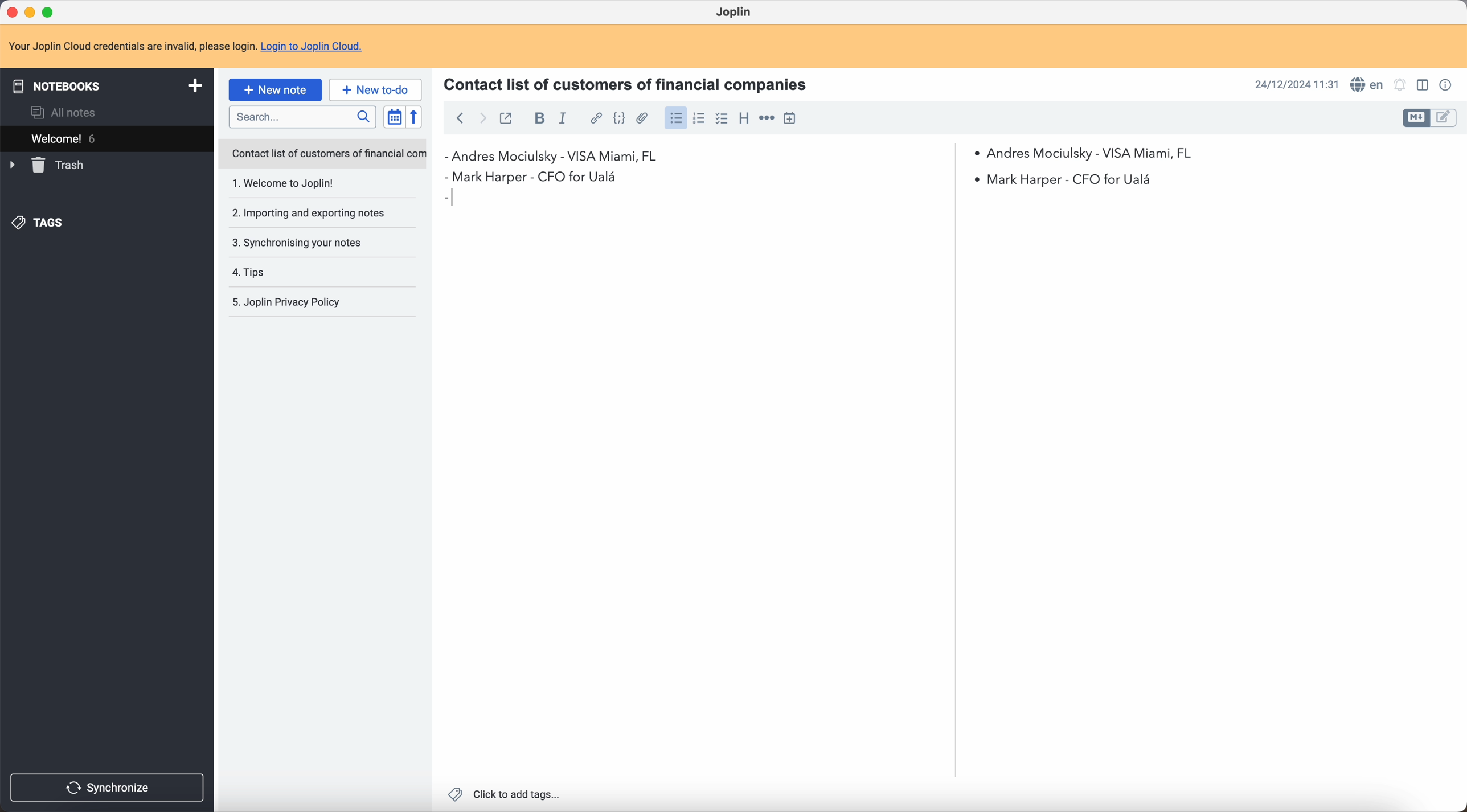  What do you see at coordinates (377, 89) in the screenshot?
I see `new to-do` at bounding box center [377, 89].